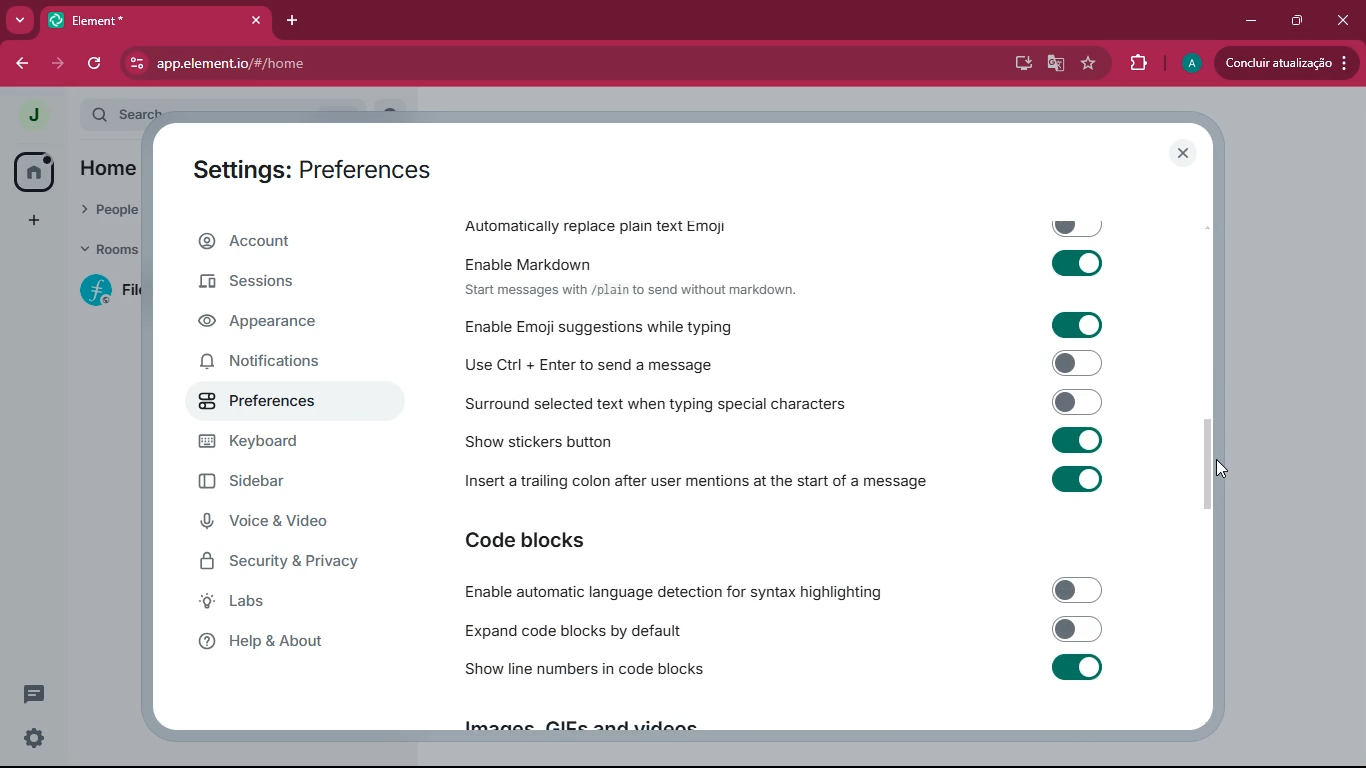  I want to click on code blocks, so click(575, 540).